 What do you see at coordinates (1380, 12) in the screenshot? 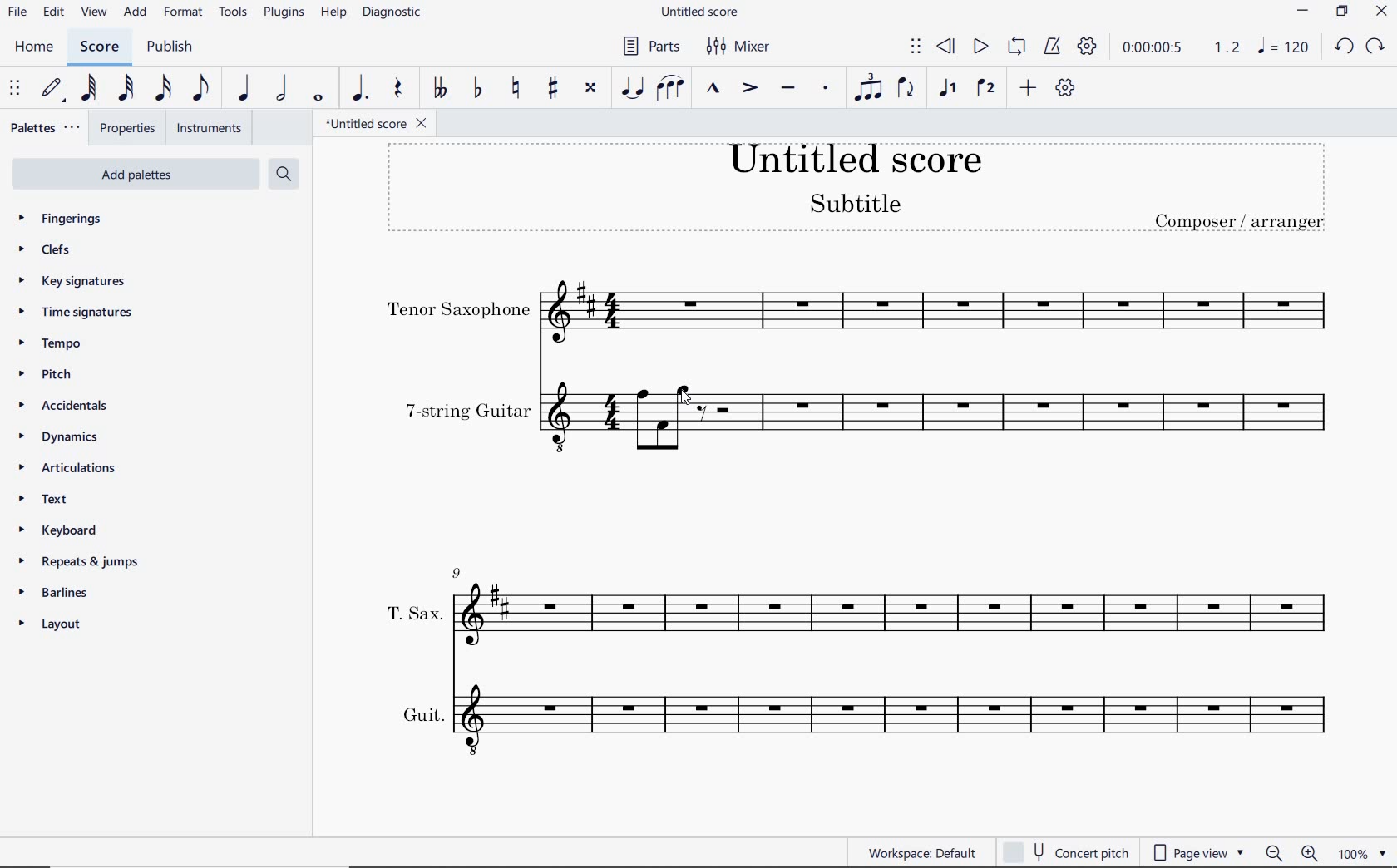
I see `CLOSE` at bounding box center [1380, 12].